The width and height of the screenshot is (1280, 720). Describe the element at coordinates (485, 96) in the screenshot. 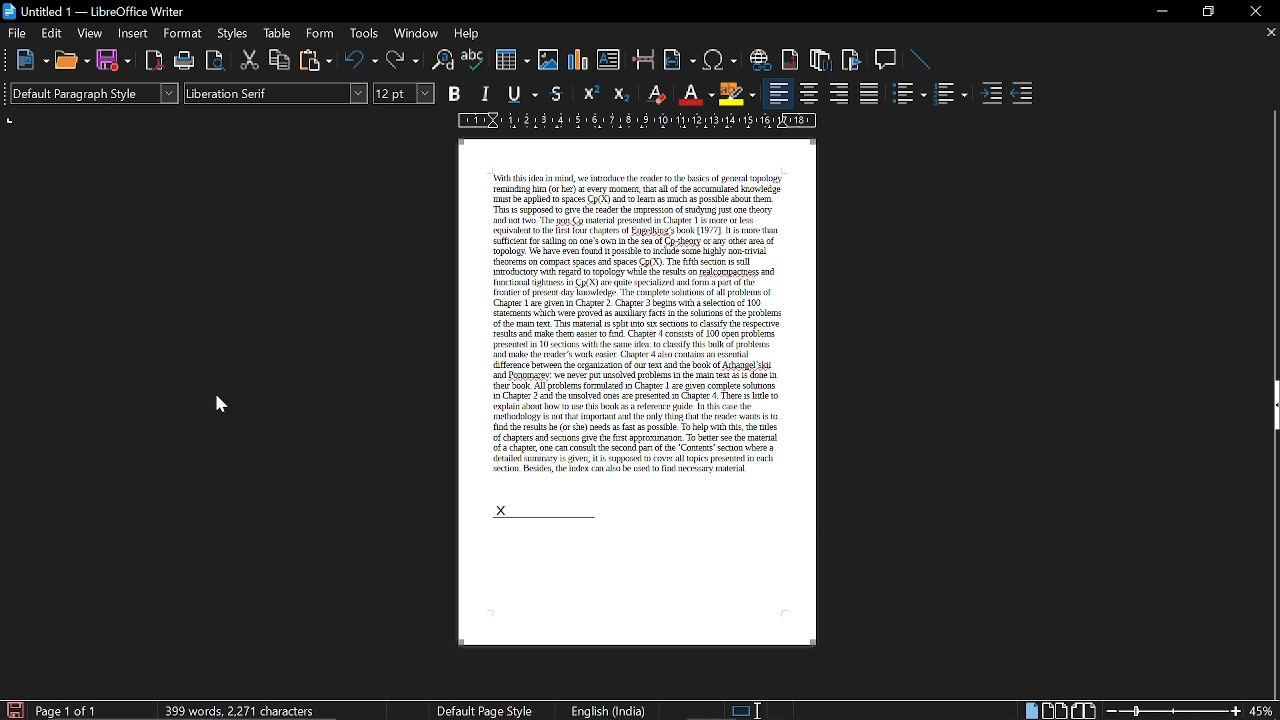

I see `italic` at that location.